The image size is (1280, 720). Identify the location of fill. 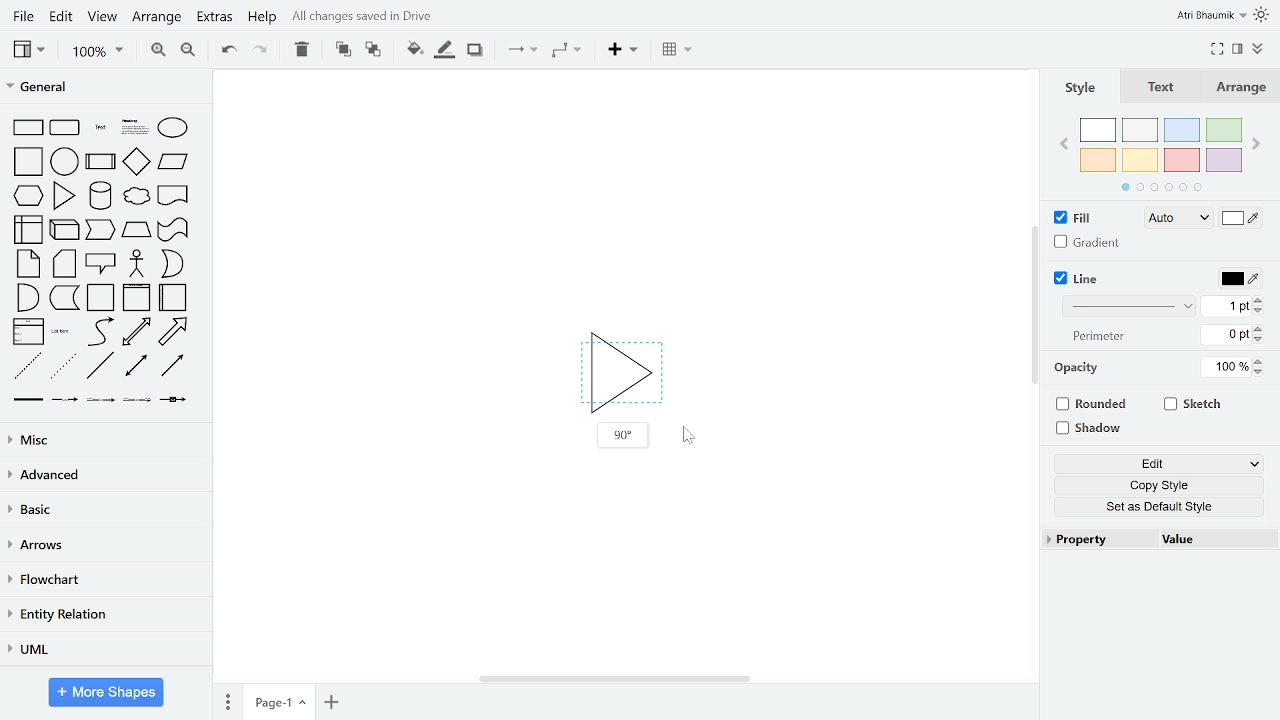
(1082, 218).